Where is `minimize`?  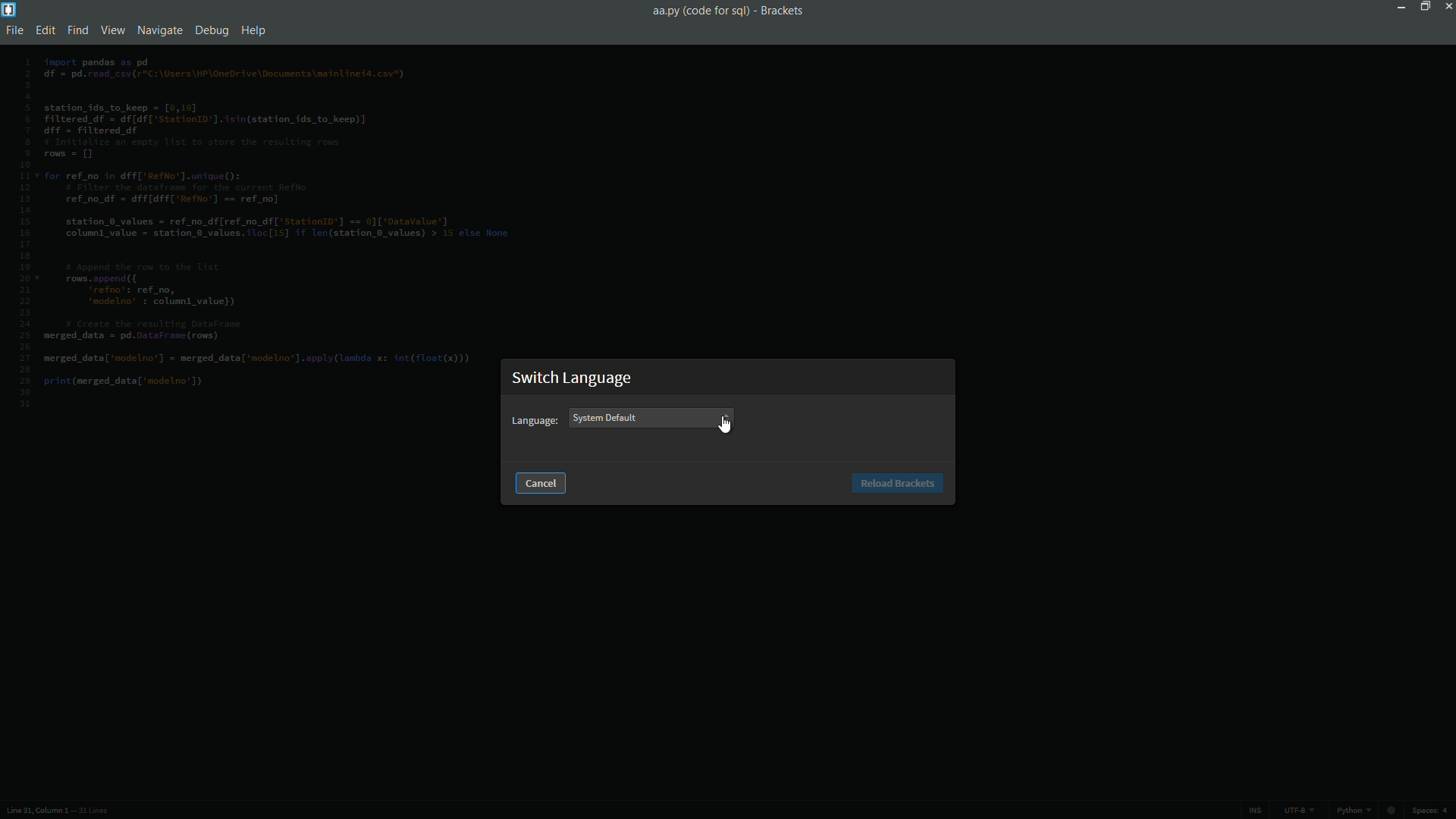
minimize is located at coordinates (1398, 6).